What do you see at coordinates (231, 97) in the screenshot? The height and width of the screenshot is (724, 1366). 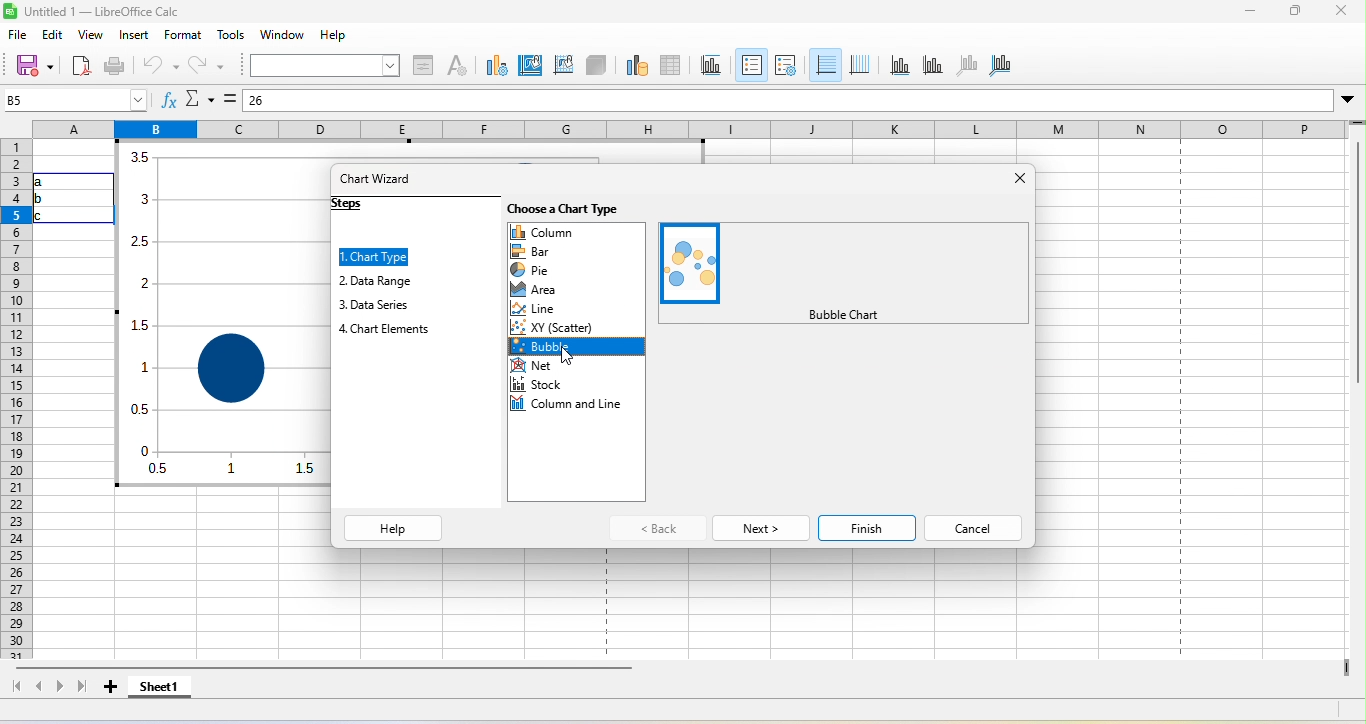 I see `formula` at bounding box center [231, 97].